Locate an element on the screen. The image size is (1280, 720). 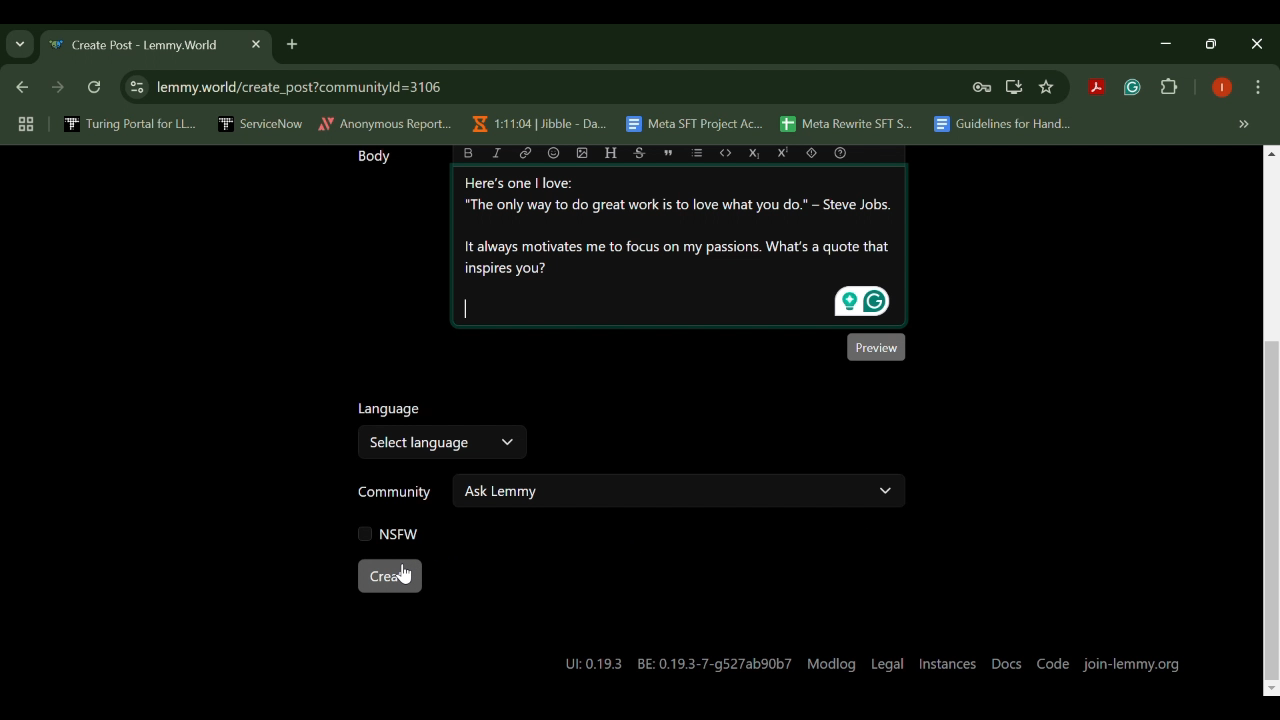
strikethrough is located at coordinates (641, 152).